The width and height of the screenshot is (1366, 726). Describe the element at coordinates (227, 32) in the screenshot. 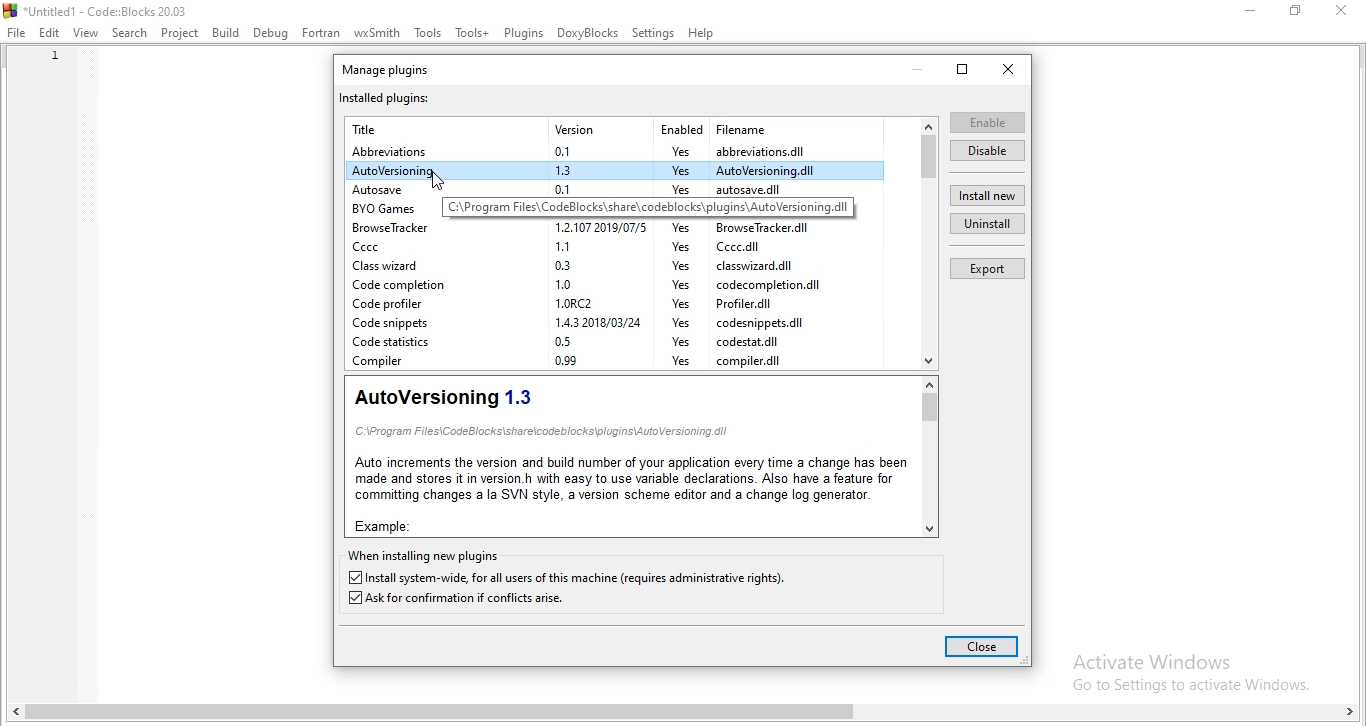

I see `Bulid` at that location.